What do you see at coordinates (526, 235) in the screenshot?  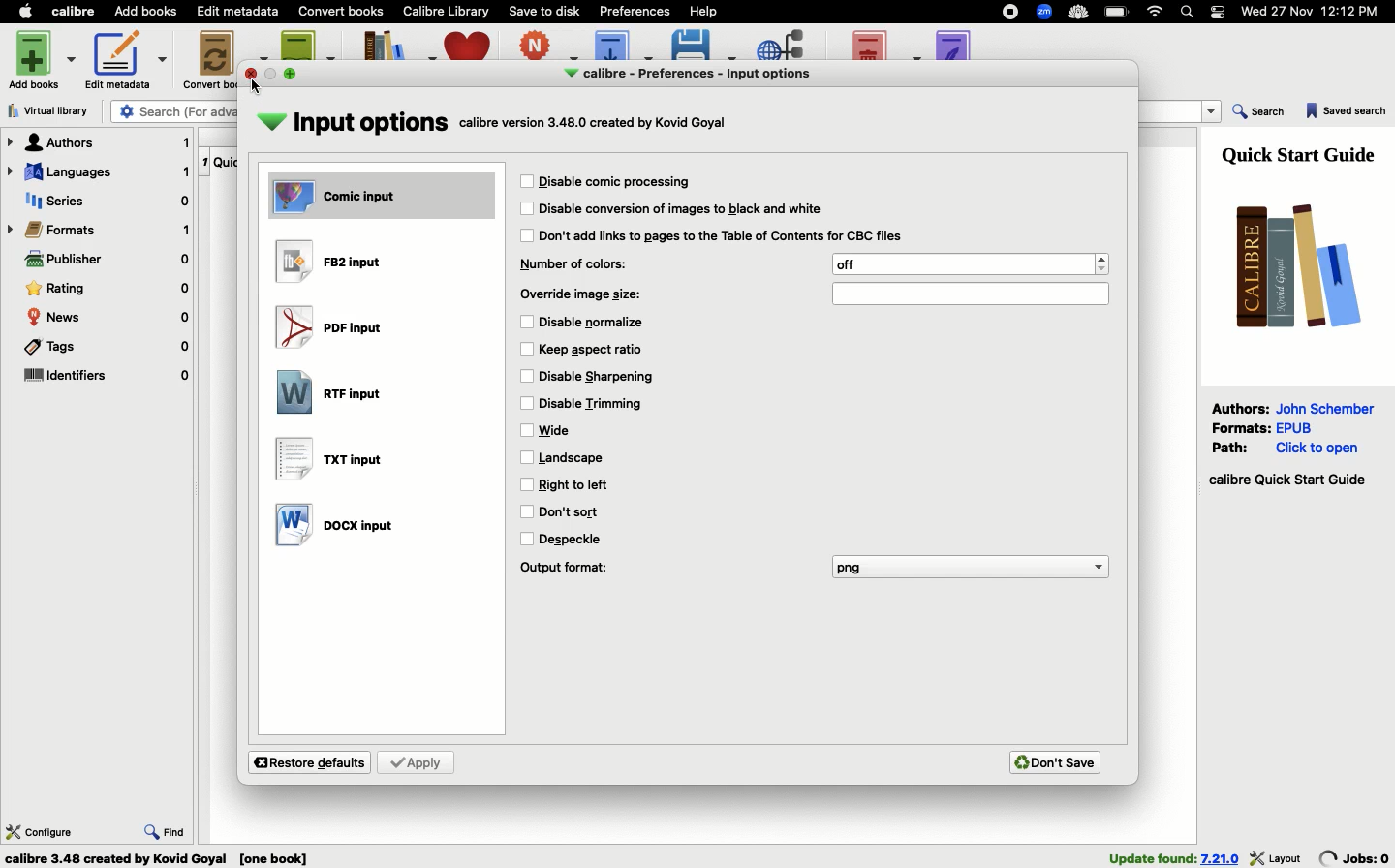 I see `Checkbox` at bounding box center [526, 235].